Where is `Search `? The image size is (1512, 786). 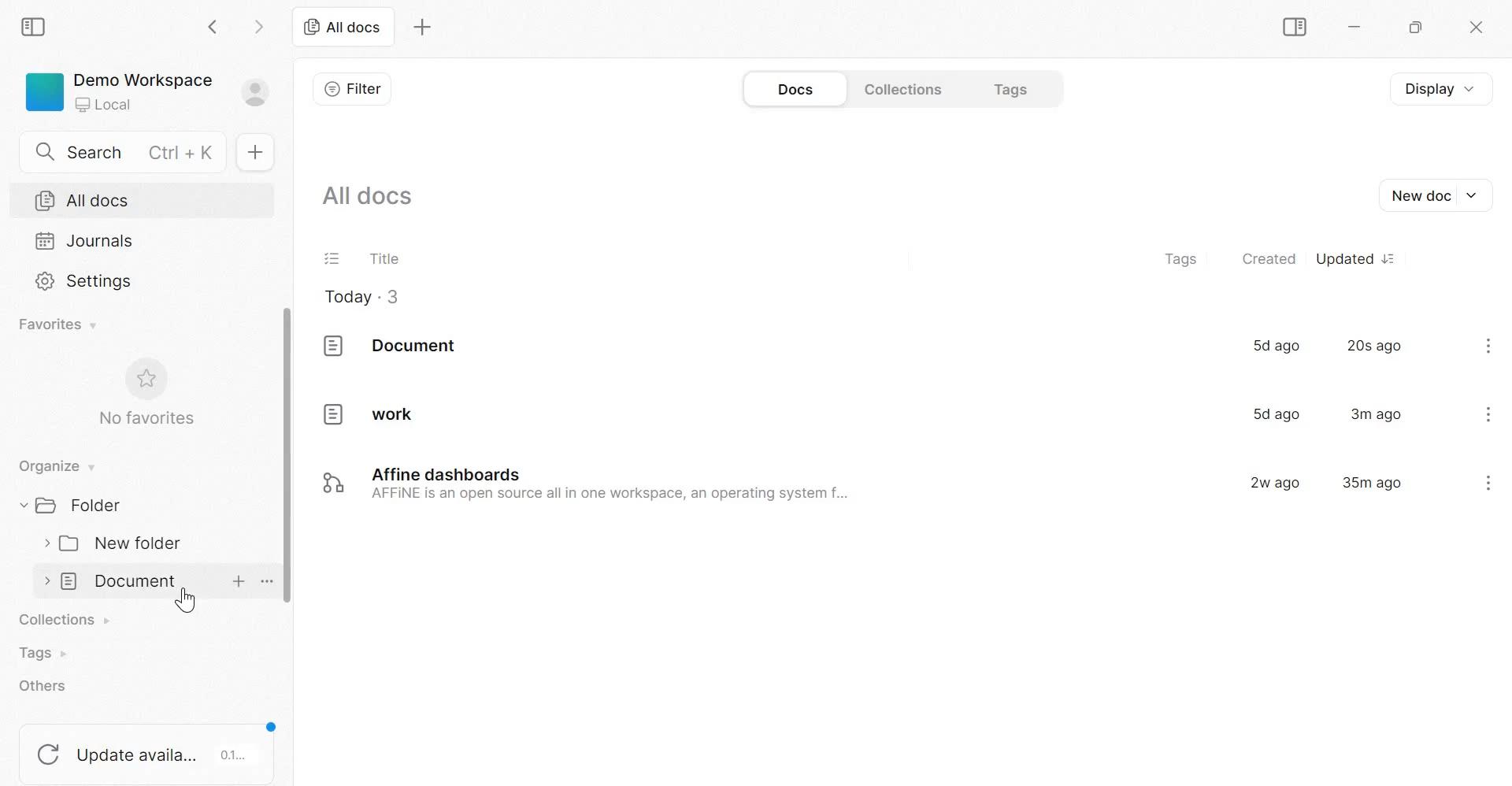
Search  is located at coordinates (120, 152).